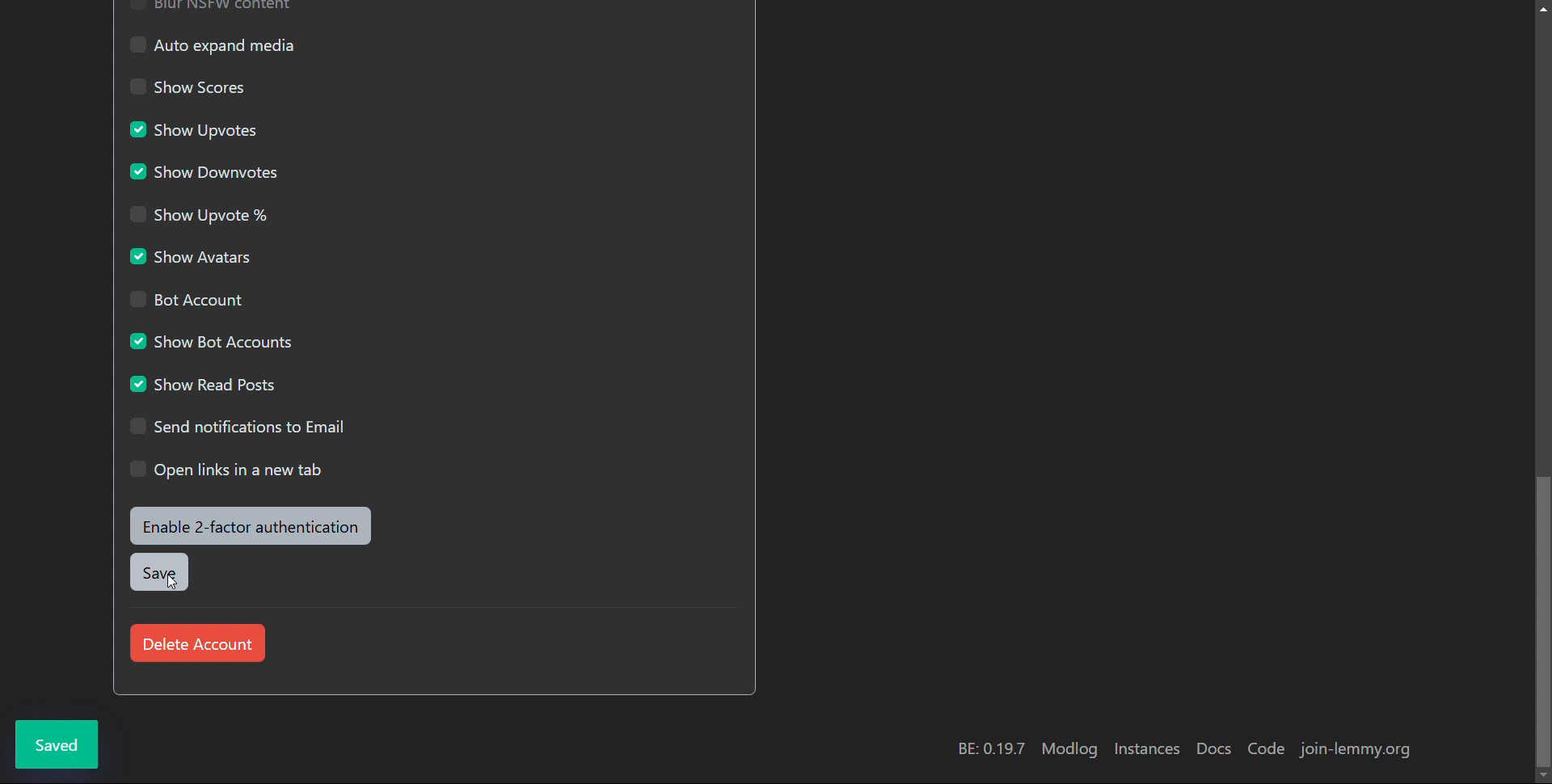 The width and height of the screenshot is (1552, 784). What do you see at coordinates (992, 748) in the screenshot?
I see `version` at bounding box center [992, 748].